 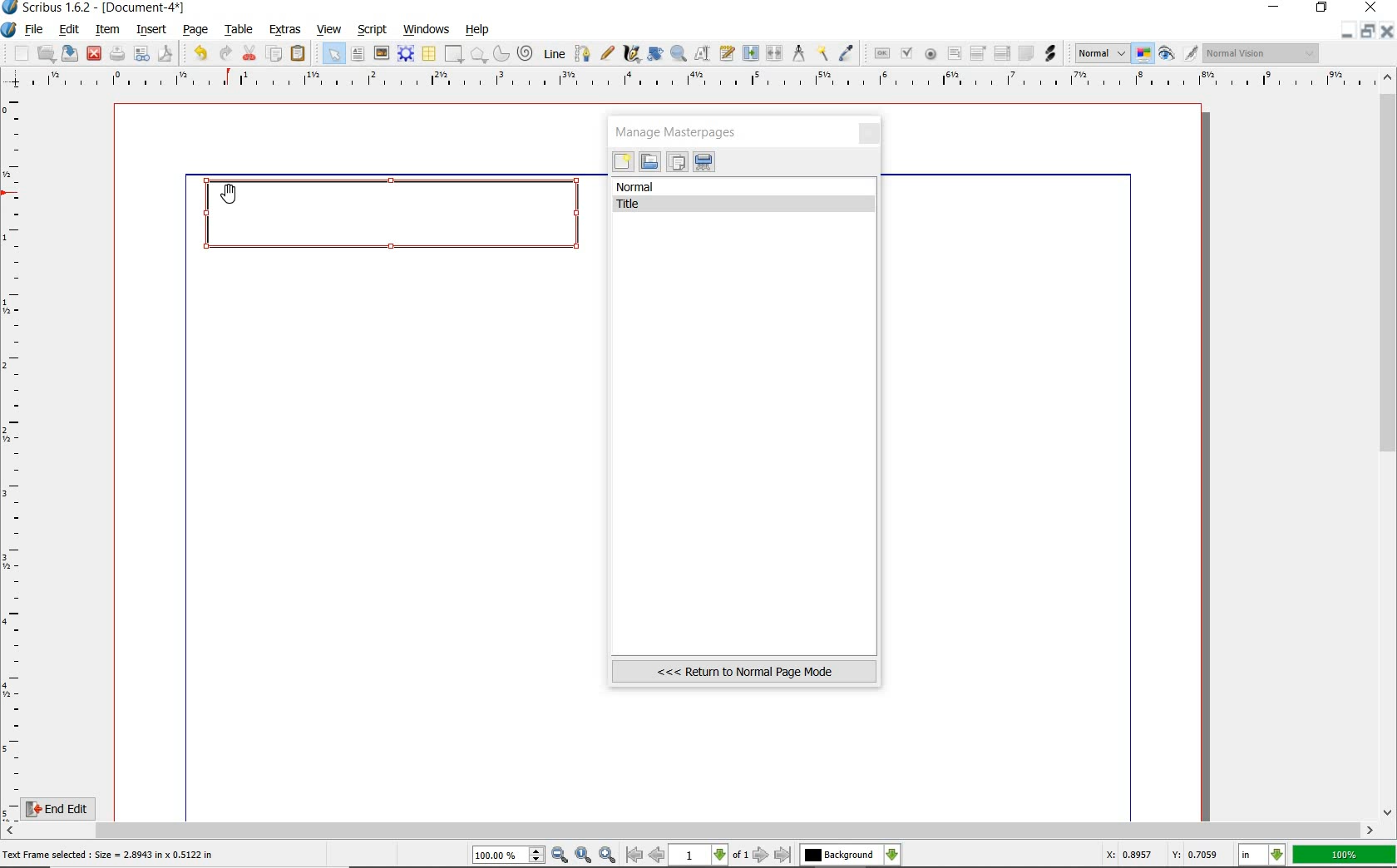 I want to click on delete the selected masterpages, so click(x=704, y=162).